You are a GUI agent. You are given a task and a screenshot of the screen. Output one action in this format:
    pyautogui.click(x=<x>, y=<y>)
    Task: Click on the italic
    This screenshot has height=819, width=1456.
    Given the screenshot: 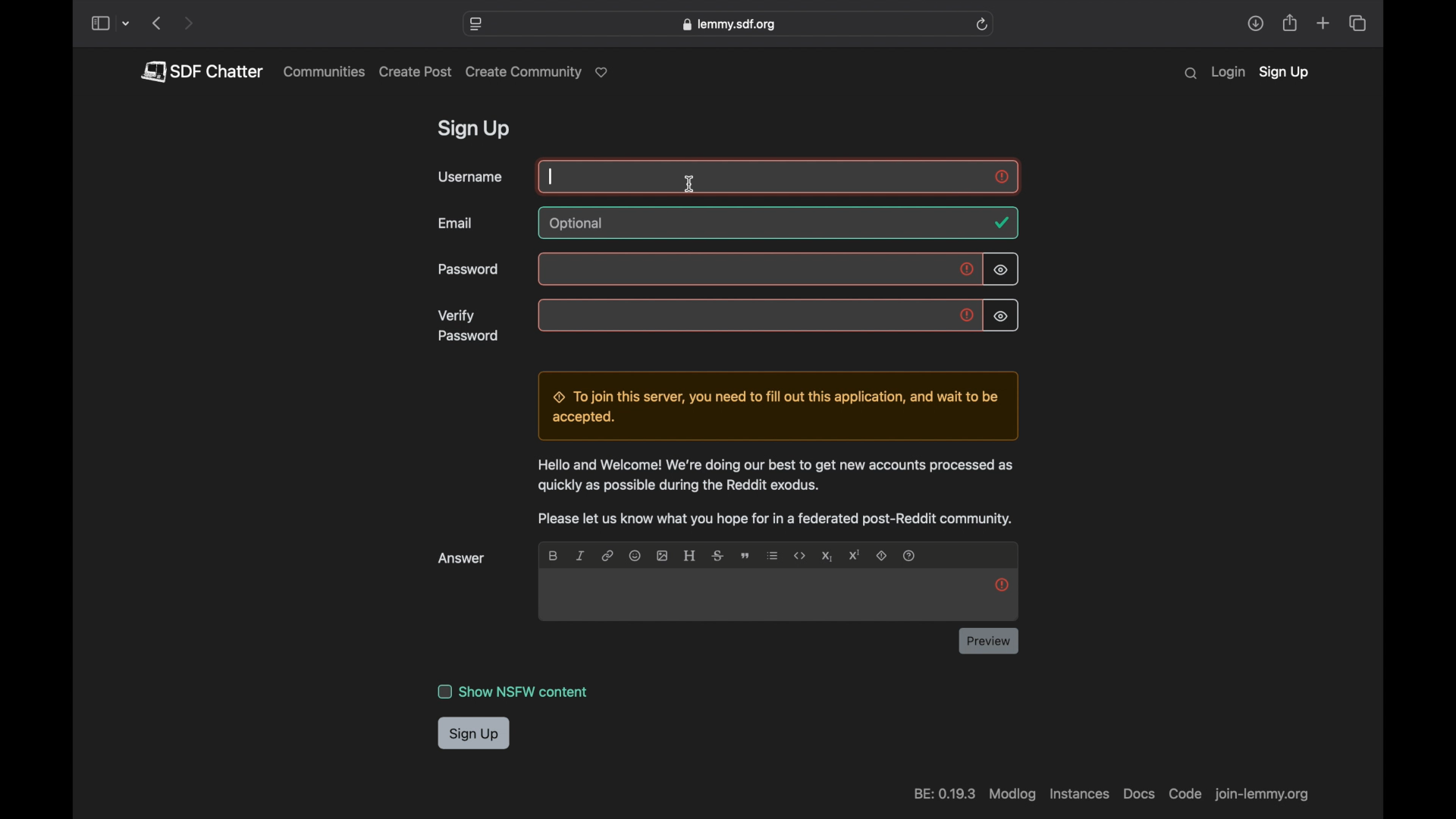 What is the action you would take?
    pyautogui.click(x=579, y=555)
    